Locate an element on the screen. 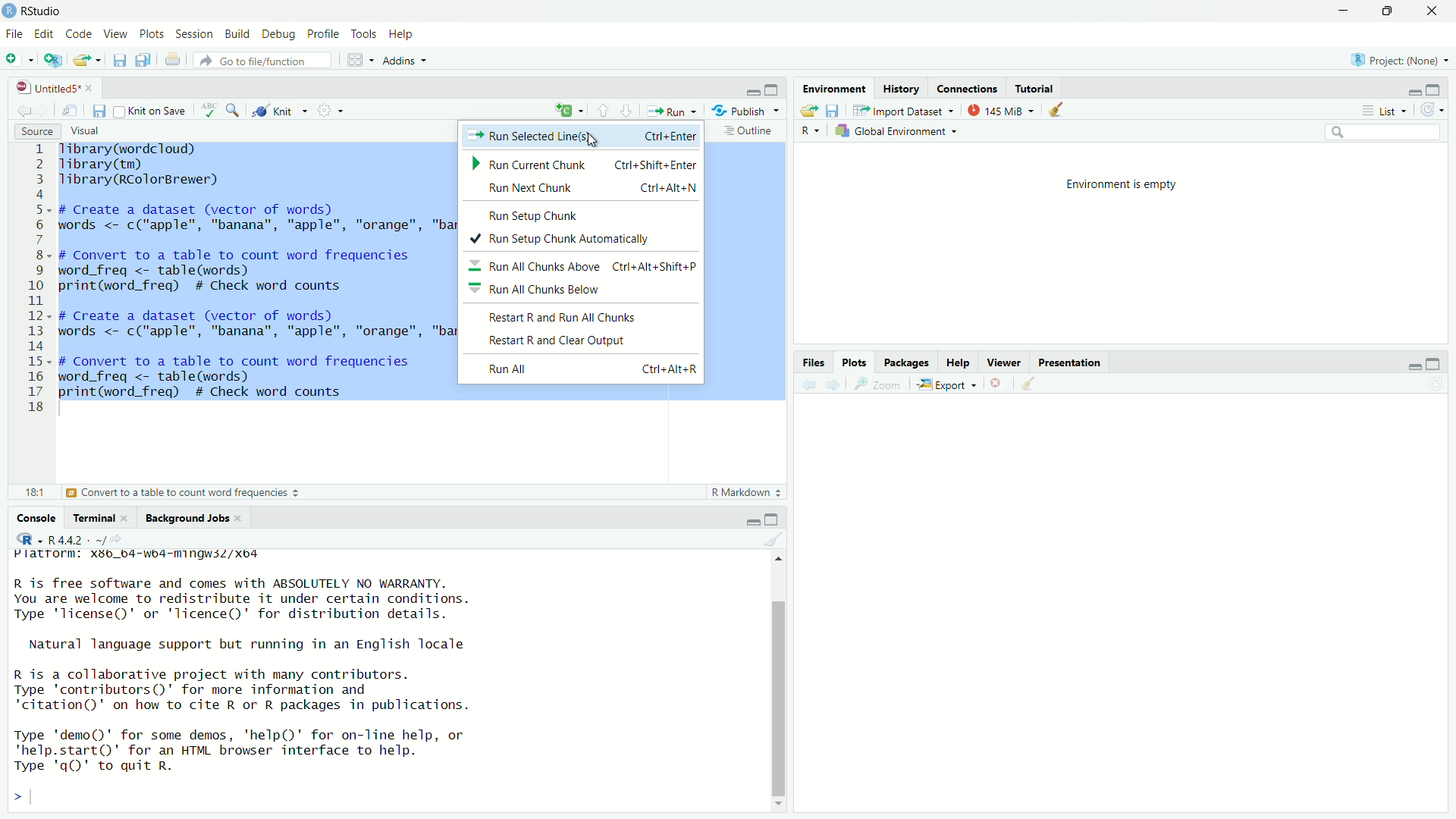 This screenshot has height=819, width=1456. R.4.4.2 is located at coordinates (62, 539).